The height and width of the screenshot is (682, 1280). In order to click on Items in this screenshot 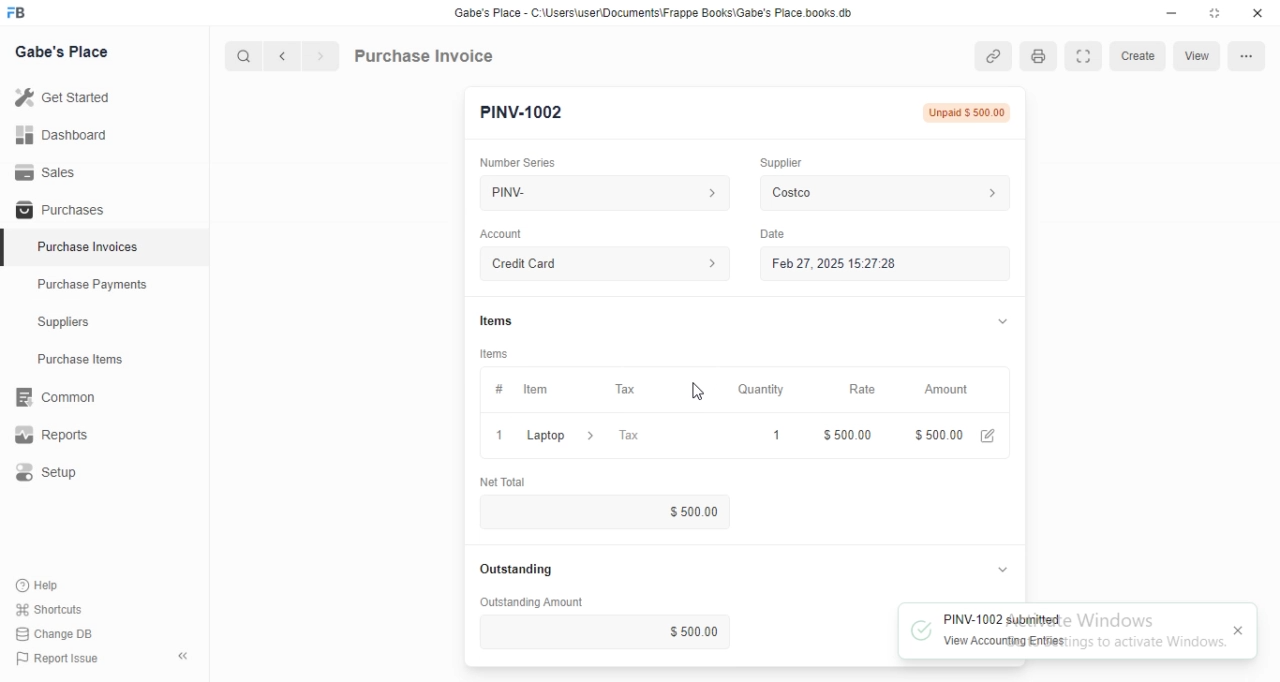, I will do `click(494, 354)`.